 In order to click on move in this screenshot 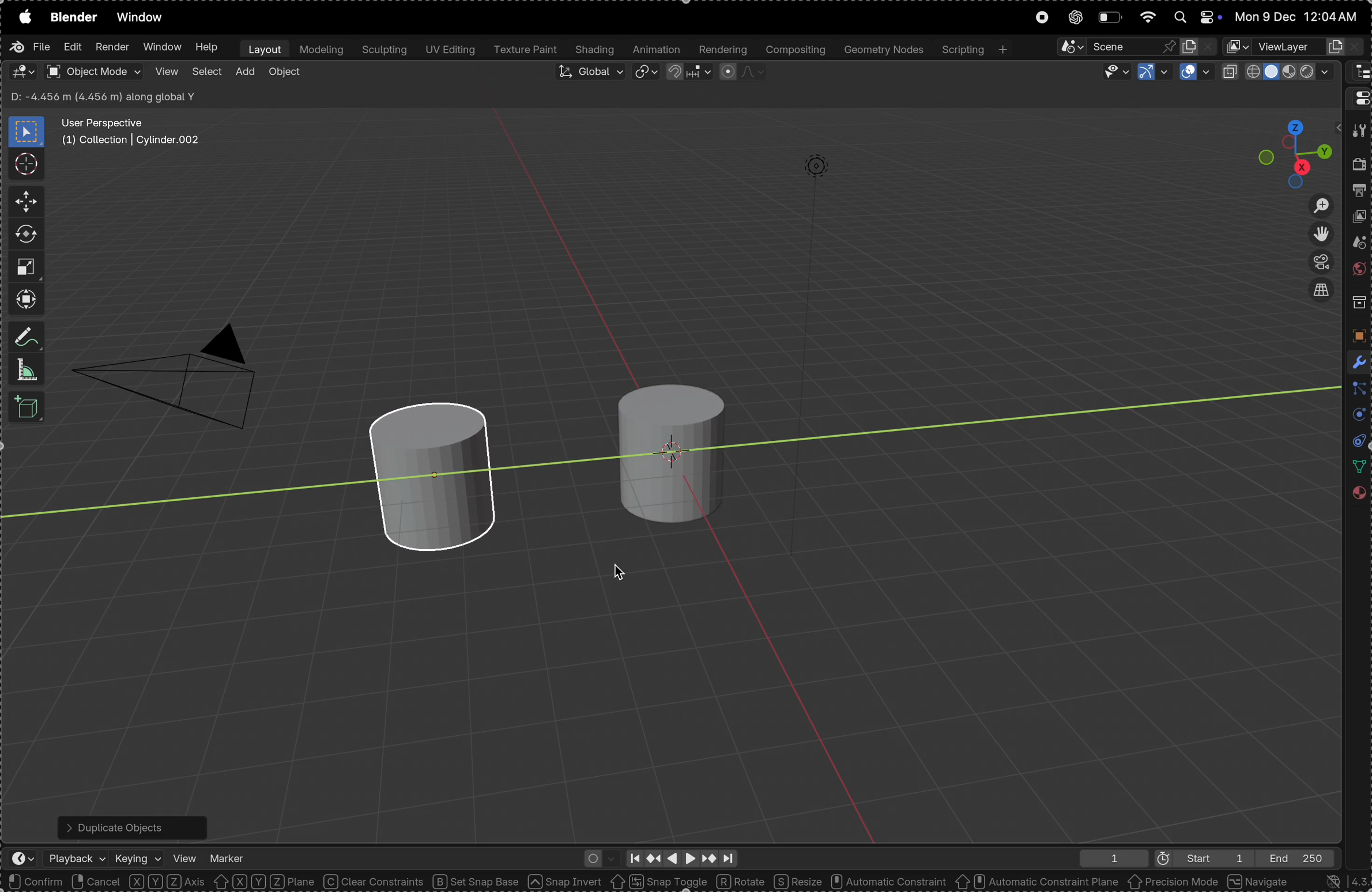, I will do `click(22, 202)`.